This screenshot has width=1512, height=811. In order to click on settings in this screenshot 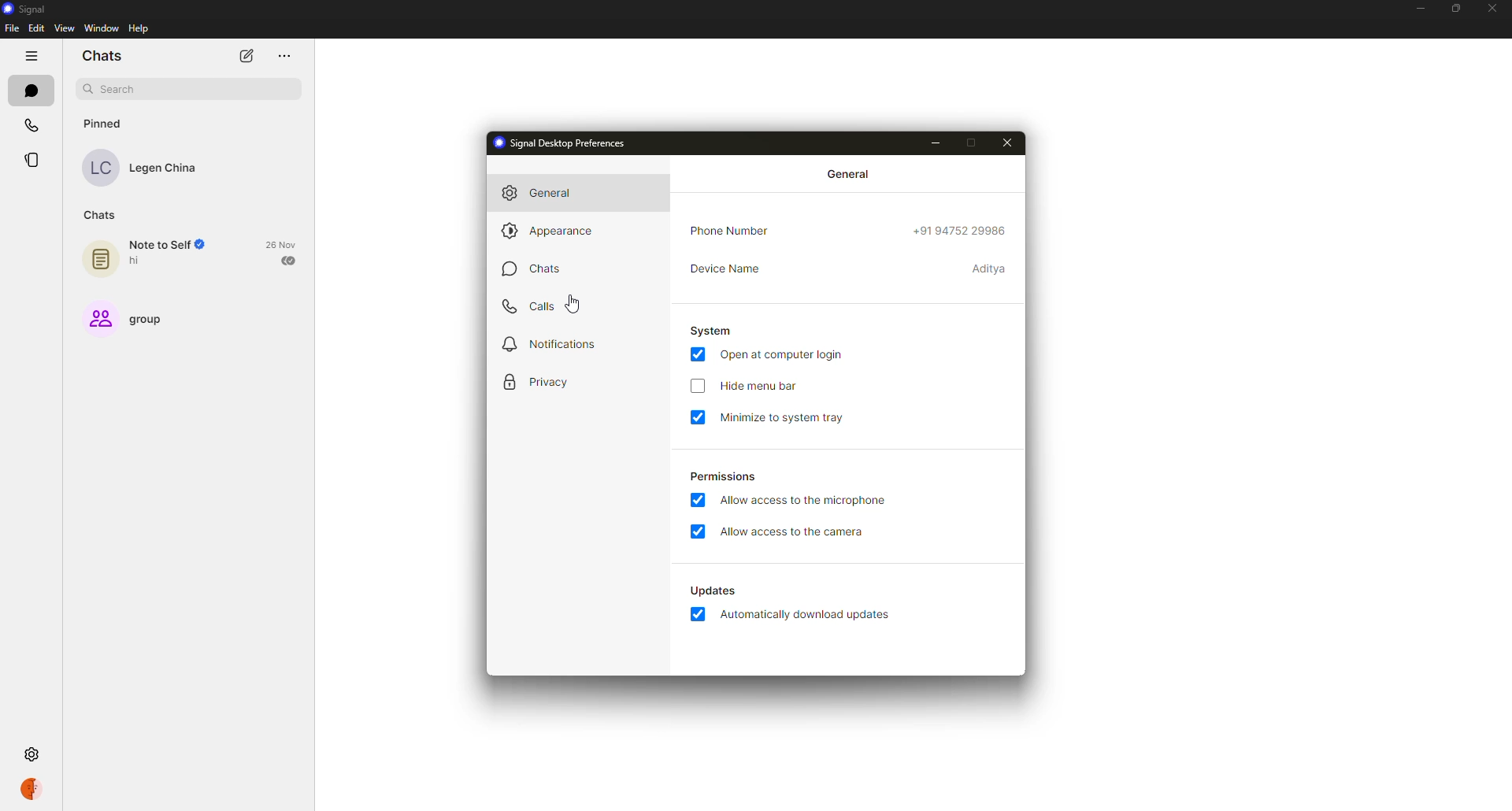, I will do `click(31, 754)`.